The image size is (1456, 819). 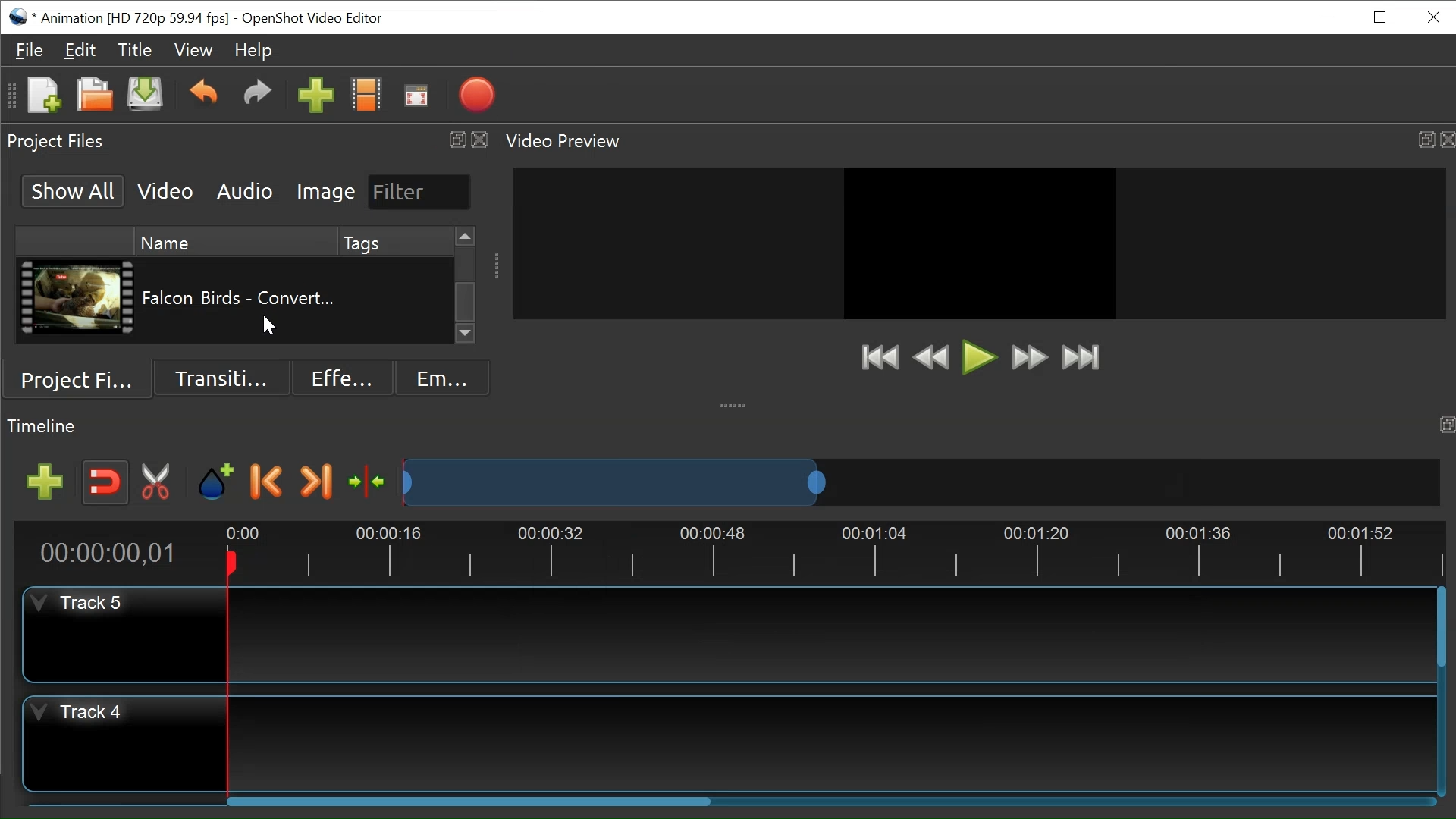 What do you see at coordinates (246, 192) in the screenshot?
I see `Audio` at bounding box center [246, 192].